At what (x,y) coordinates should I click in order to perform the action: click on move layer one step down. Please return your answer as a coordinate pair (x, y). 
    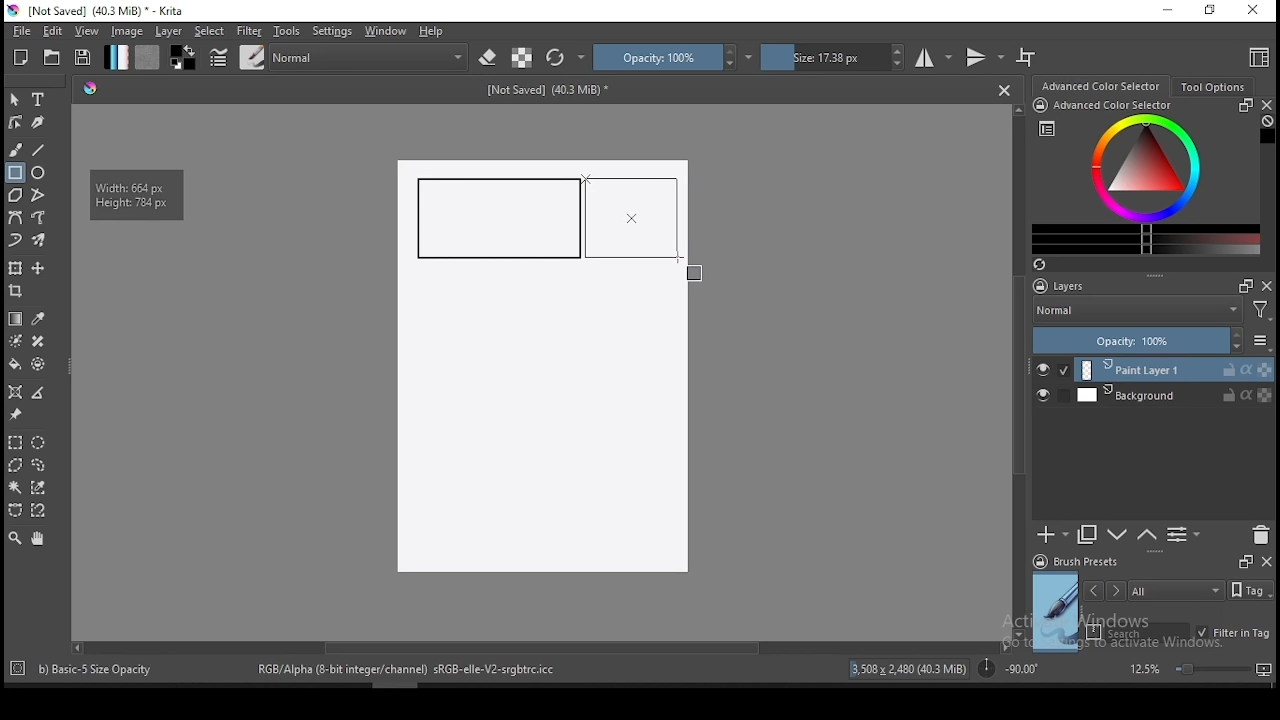
    Looking at the image, I should click on (1147, 535).